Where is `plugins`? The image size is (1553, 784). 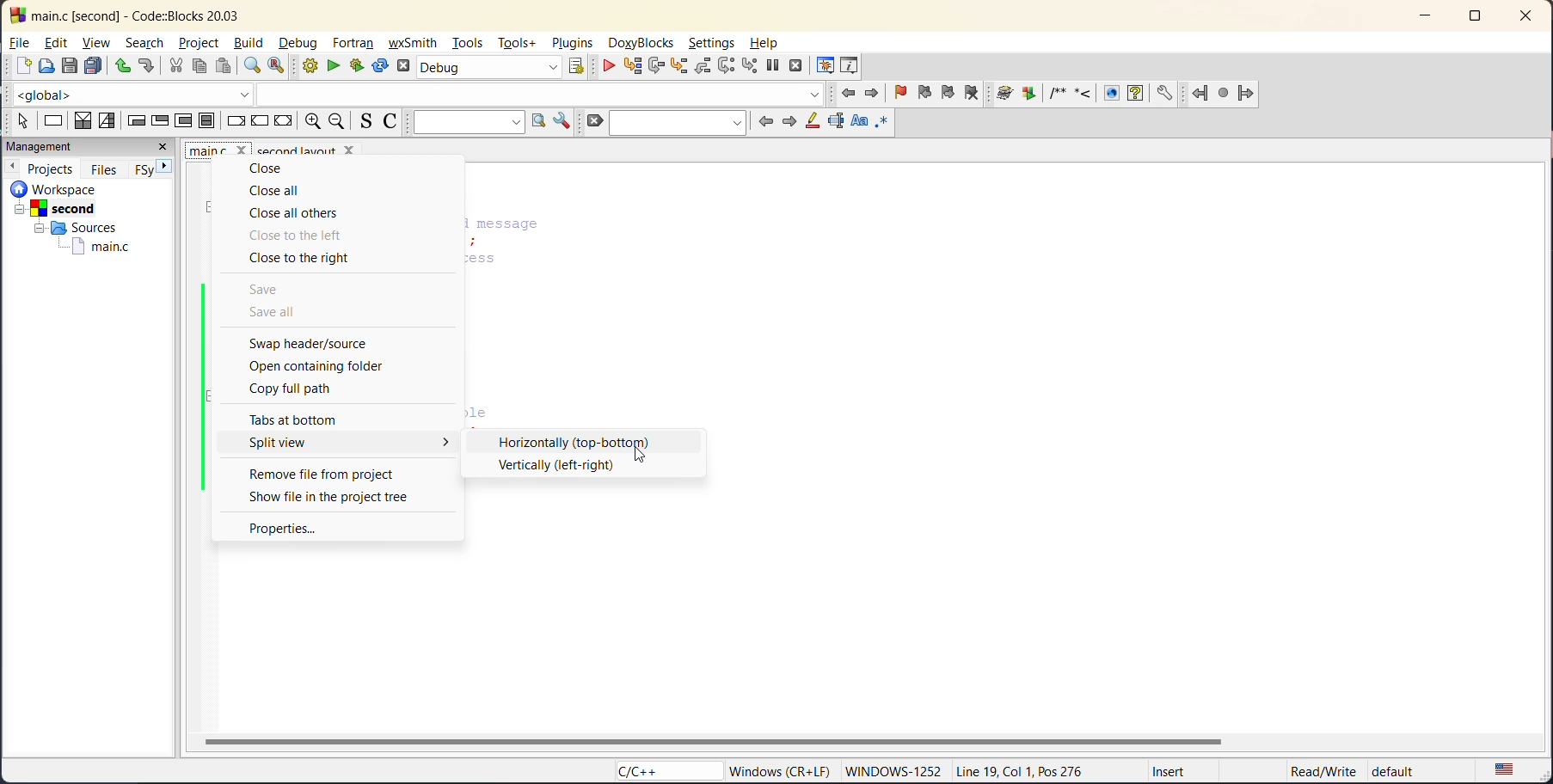 plugins is located at coordinates (572, 42).